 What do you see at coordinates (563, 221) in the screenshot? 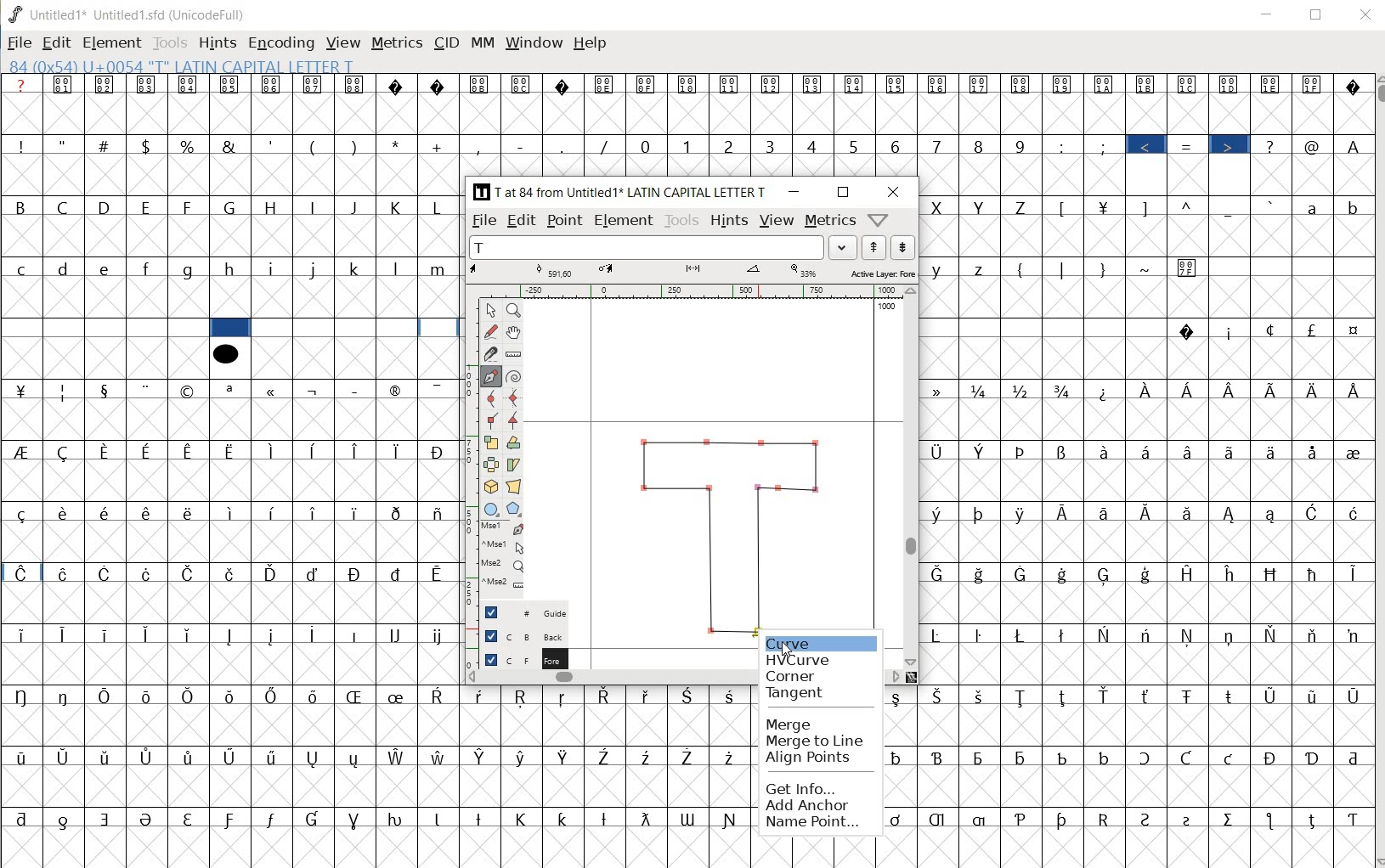
I see `point` at bounding box center [563, 221].